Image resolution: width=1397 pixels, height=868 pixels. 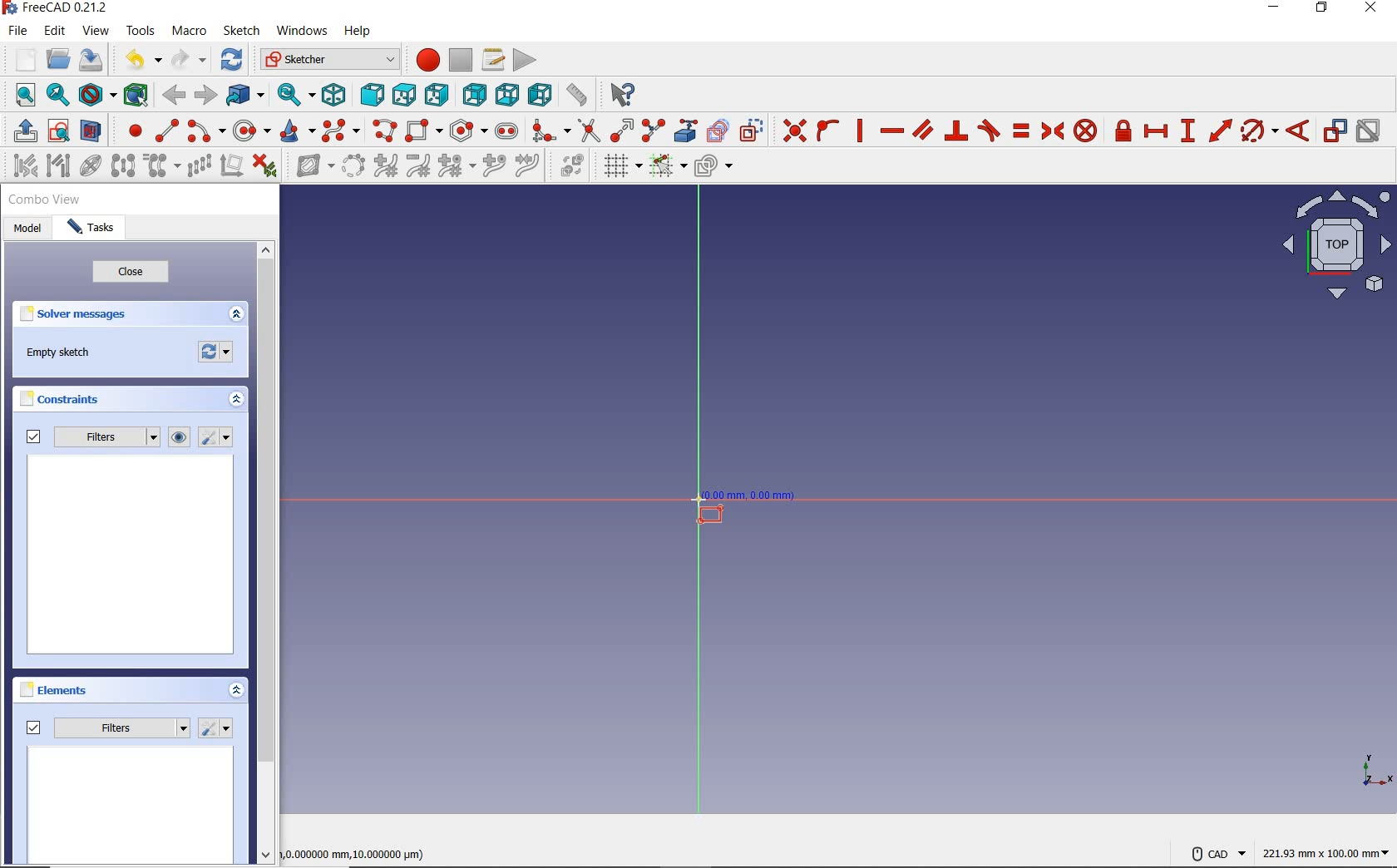 What do you see at coordinates (21, 94) in the screenshot?
I see `fit all` at bounding box center [21, 94].